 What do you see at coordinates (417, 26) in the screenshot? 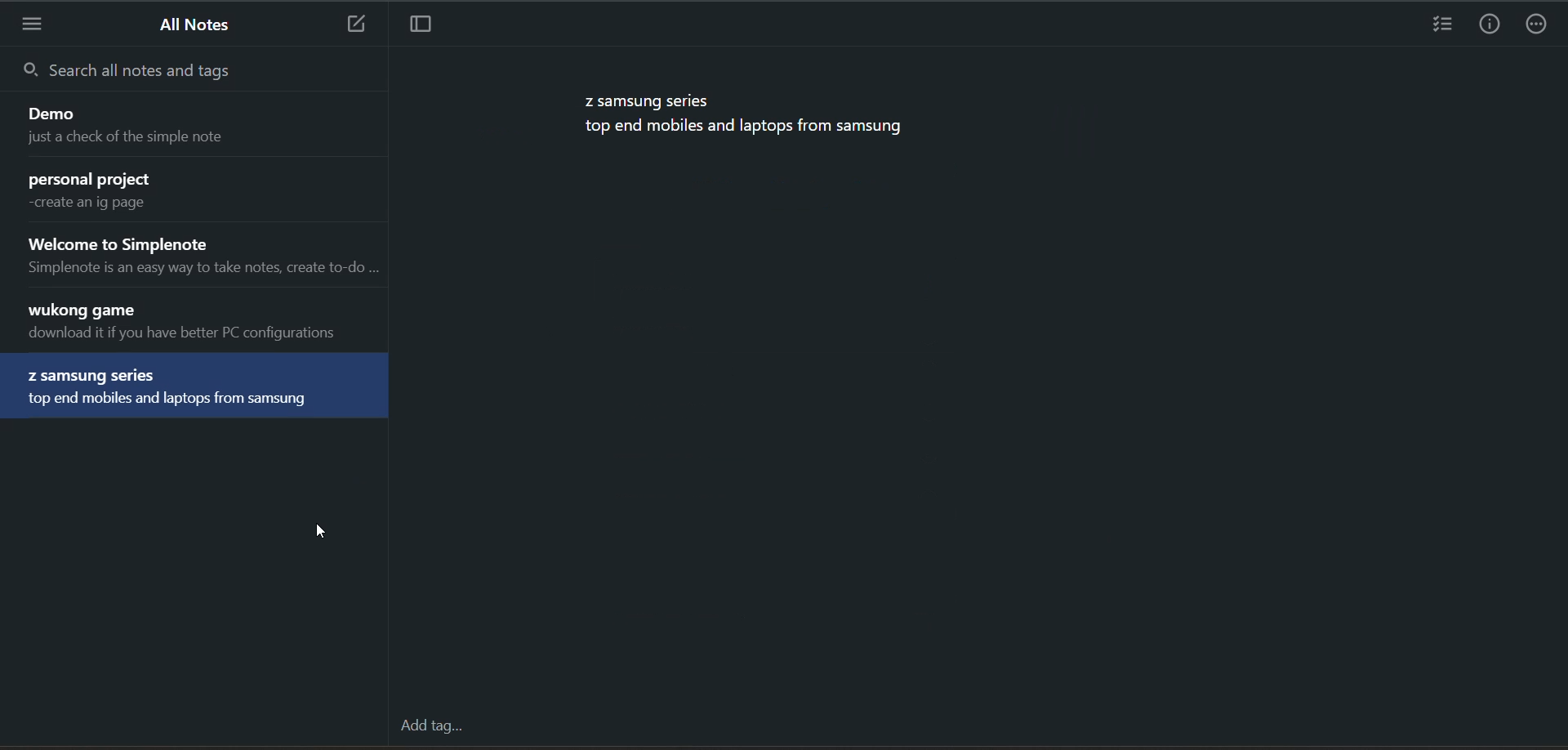
I see `toggle focus mode` at bounding box center [417, 26].